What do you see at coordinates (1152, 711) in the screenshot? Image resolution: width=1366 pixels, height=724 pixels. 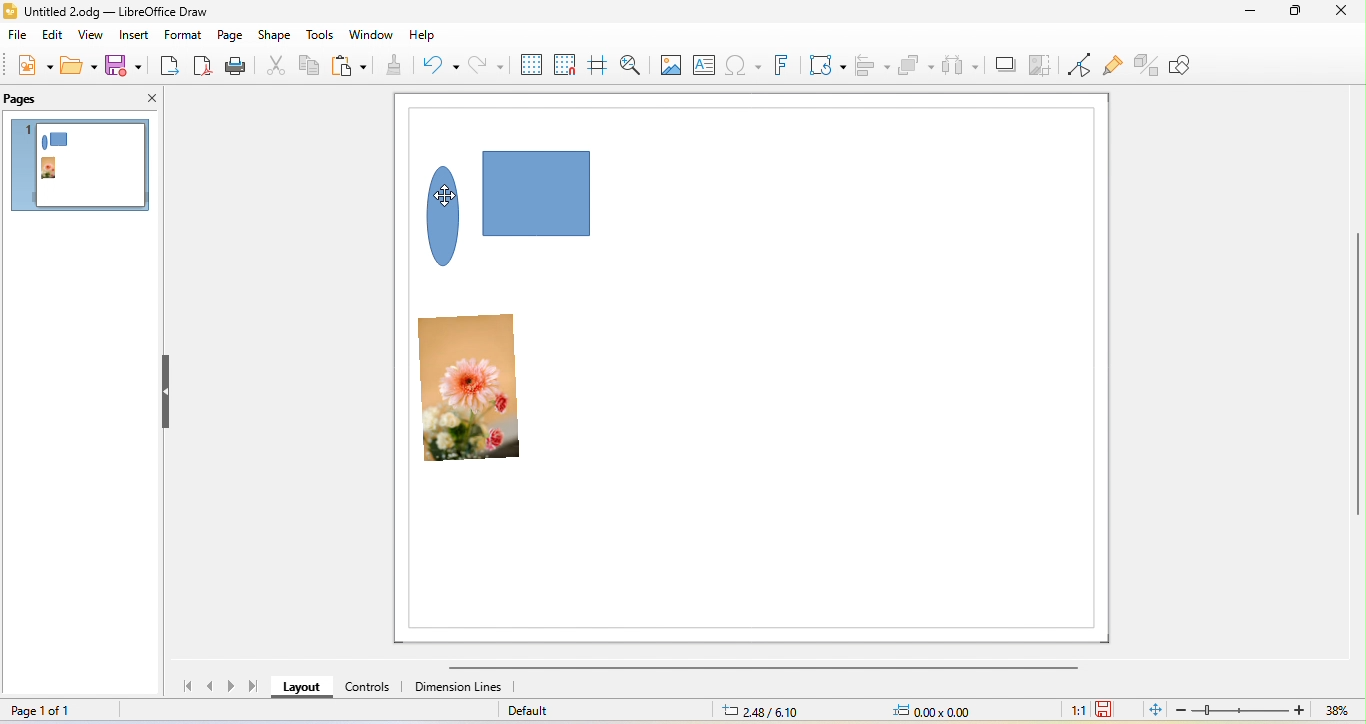 I see `fit page to current window` at bounding box center [1152, 711].